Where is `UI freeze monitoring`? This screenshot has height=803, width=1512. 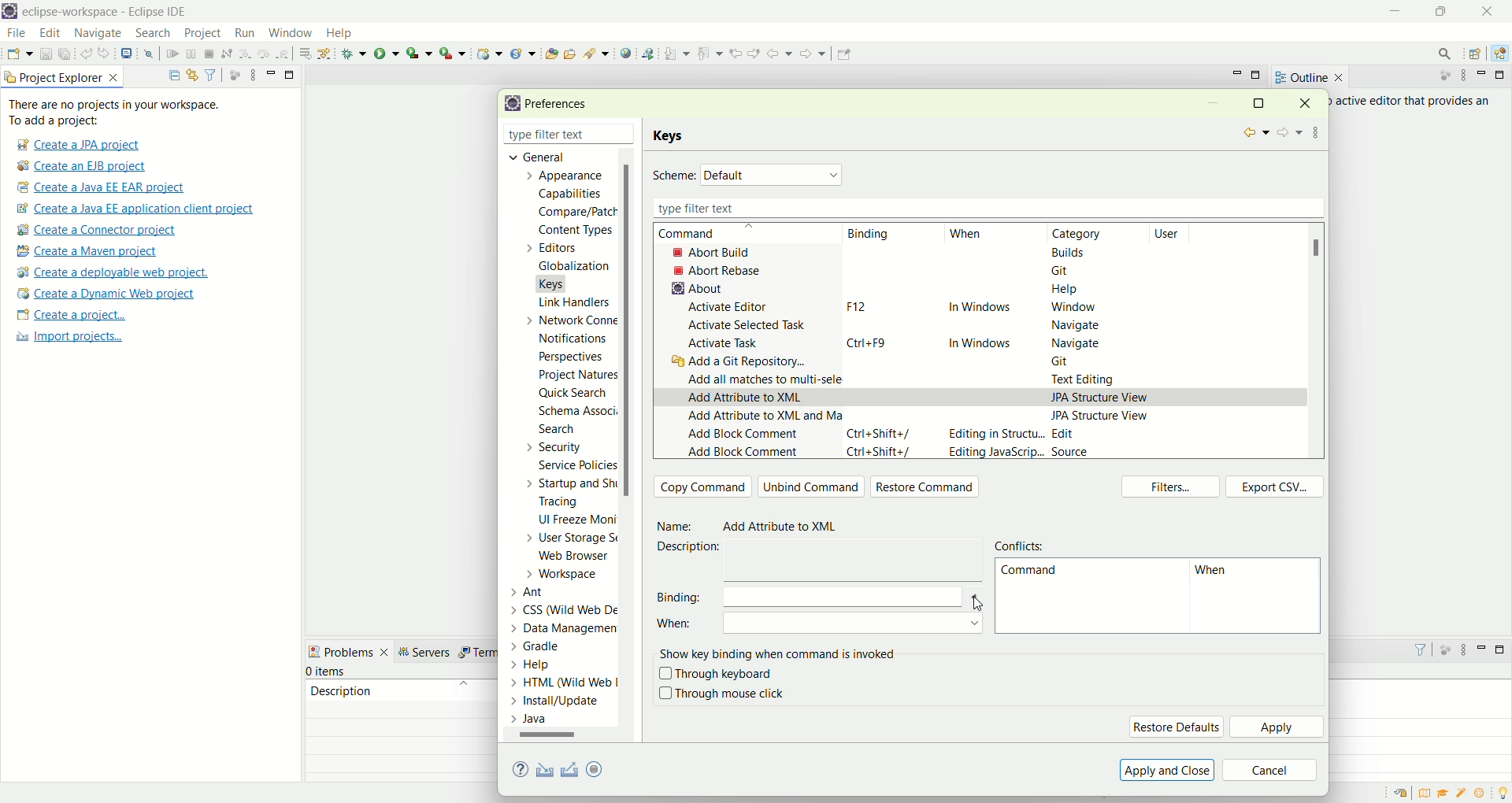 UI freeze monitoring is located at coordinates (576, 521).